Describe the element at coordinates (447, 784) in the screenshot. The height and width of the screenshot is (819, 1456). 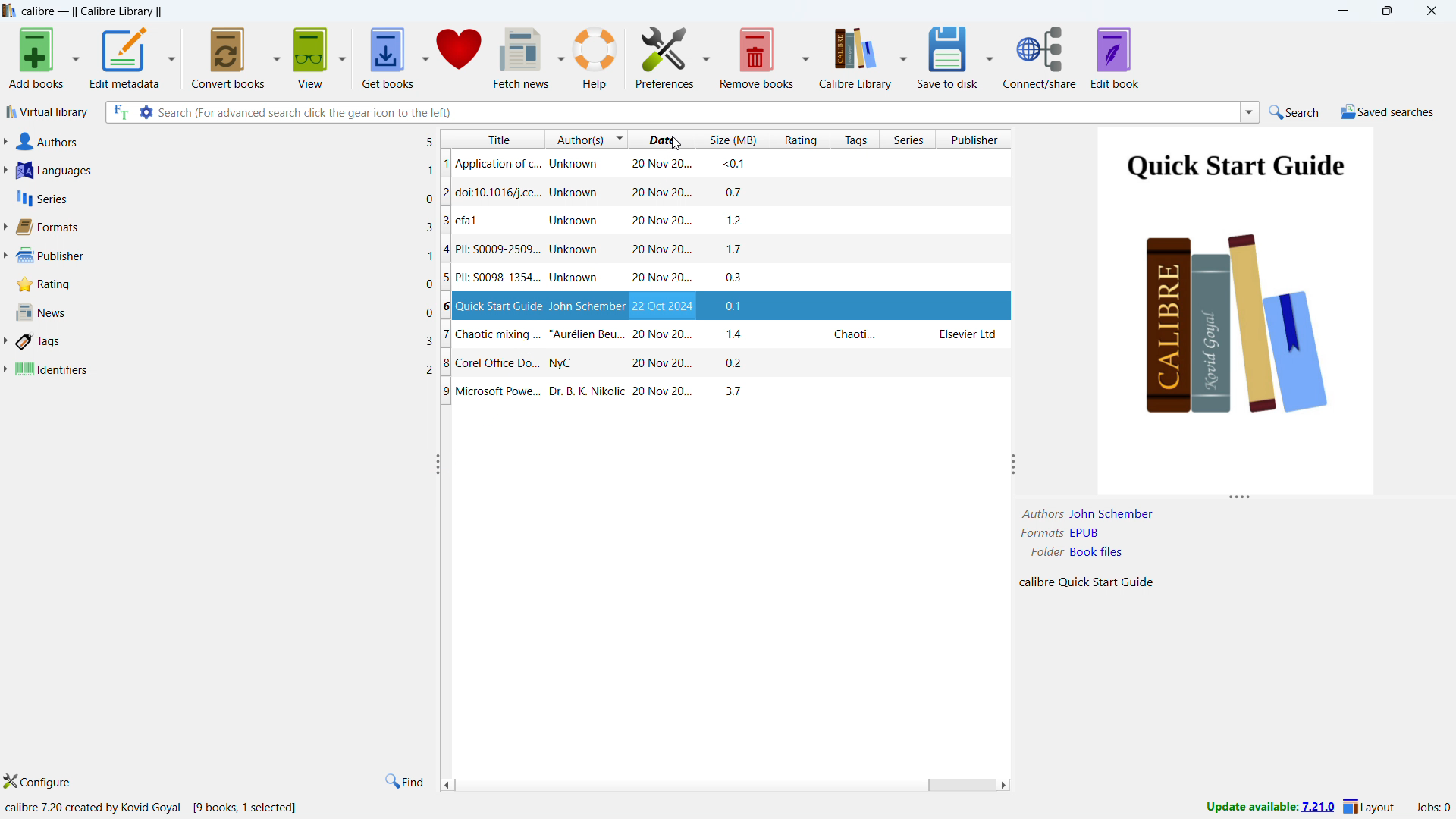
I see `scroll left` at that location.